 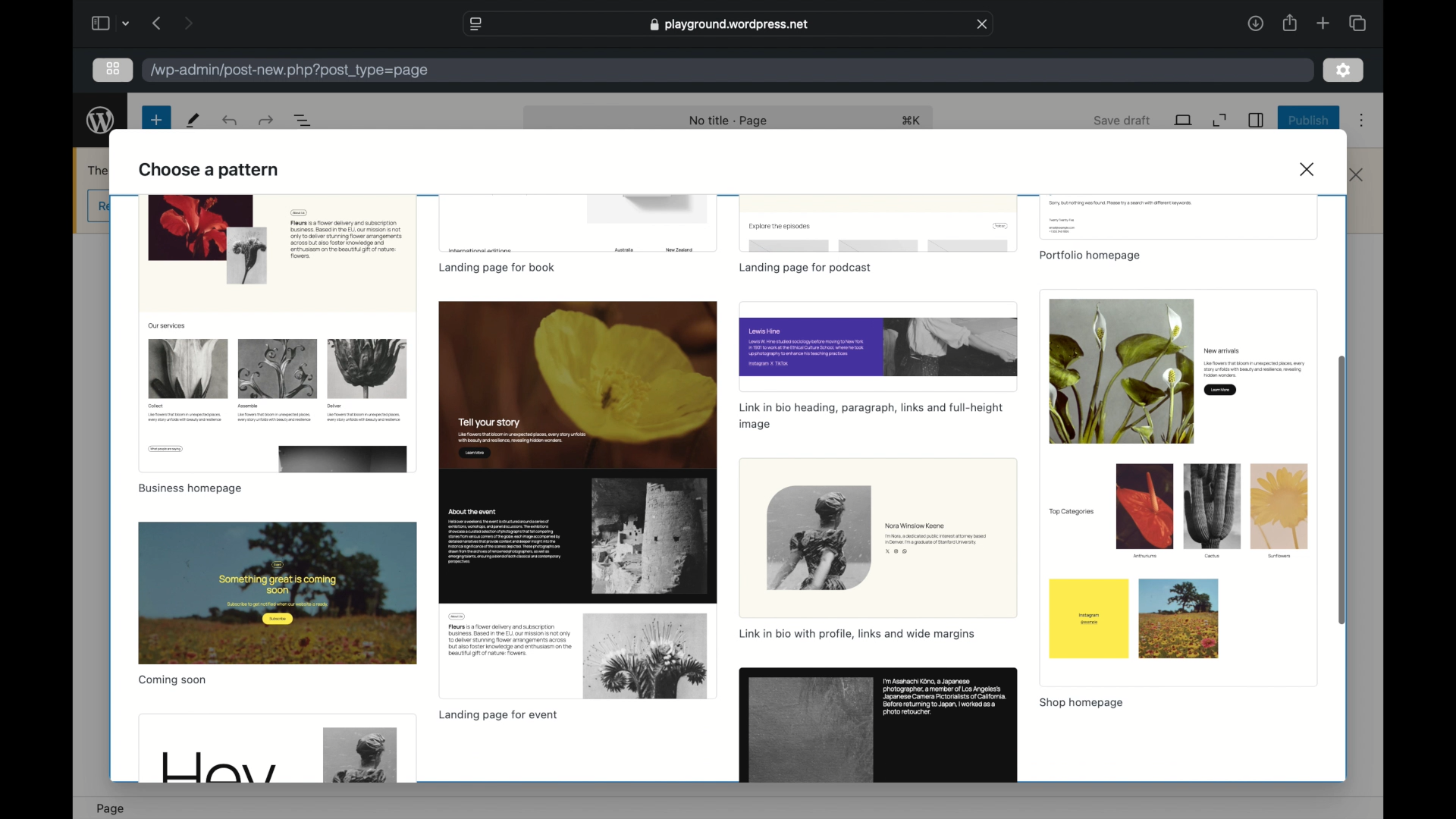 I want to click on redo, so click(x=231, y=120).